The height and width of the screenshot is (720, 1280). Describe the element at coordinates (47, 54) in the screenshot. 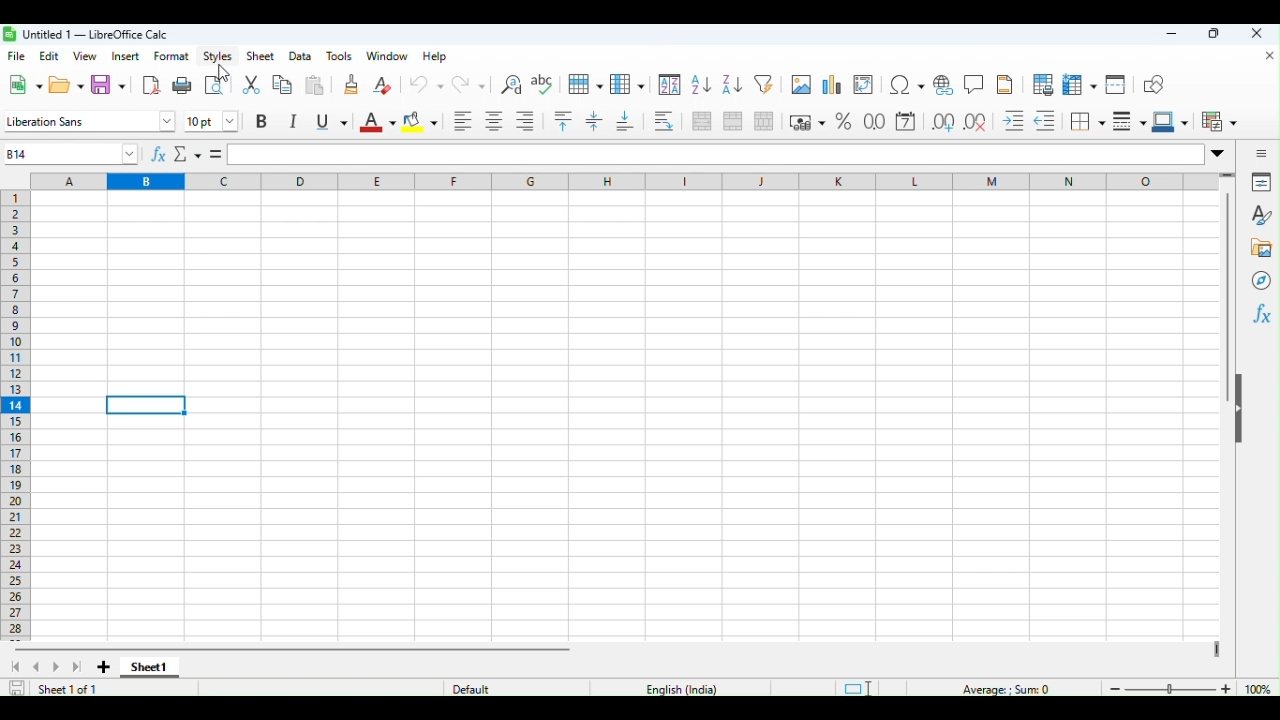

I see `Edit` at that location.